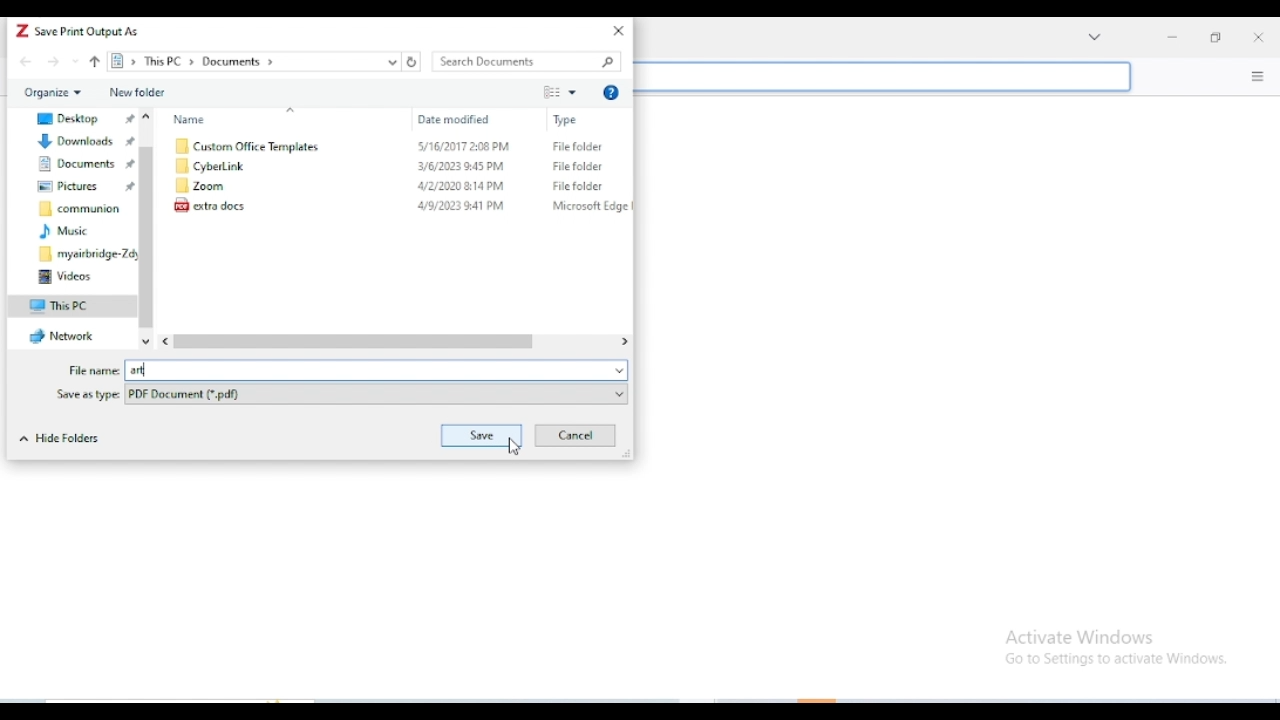 The image size is (1280, 720). What do you see at coordinates (94, 372) in the screenshot?
I see `File name:` at bounding box center [94, 372].